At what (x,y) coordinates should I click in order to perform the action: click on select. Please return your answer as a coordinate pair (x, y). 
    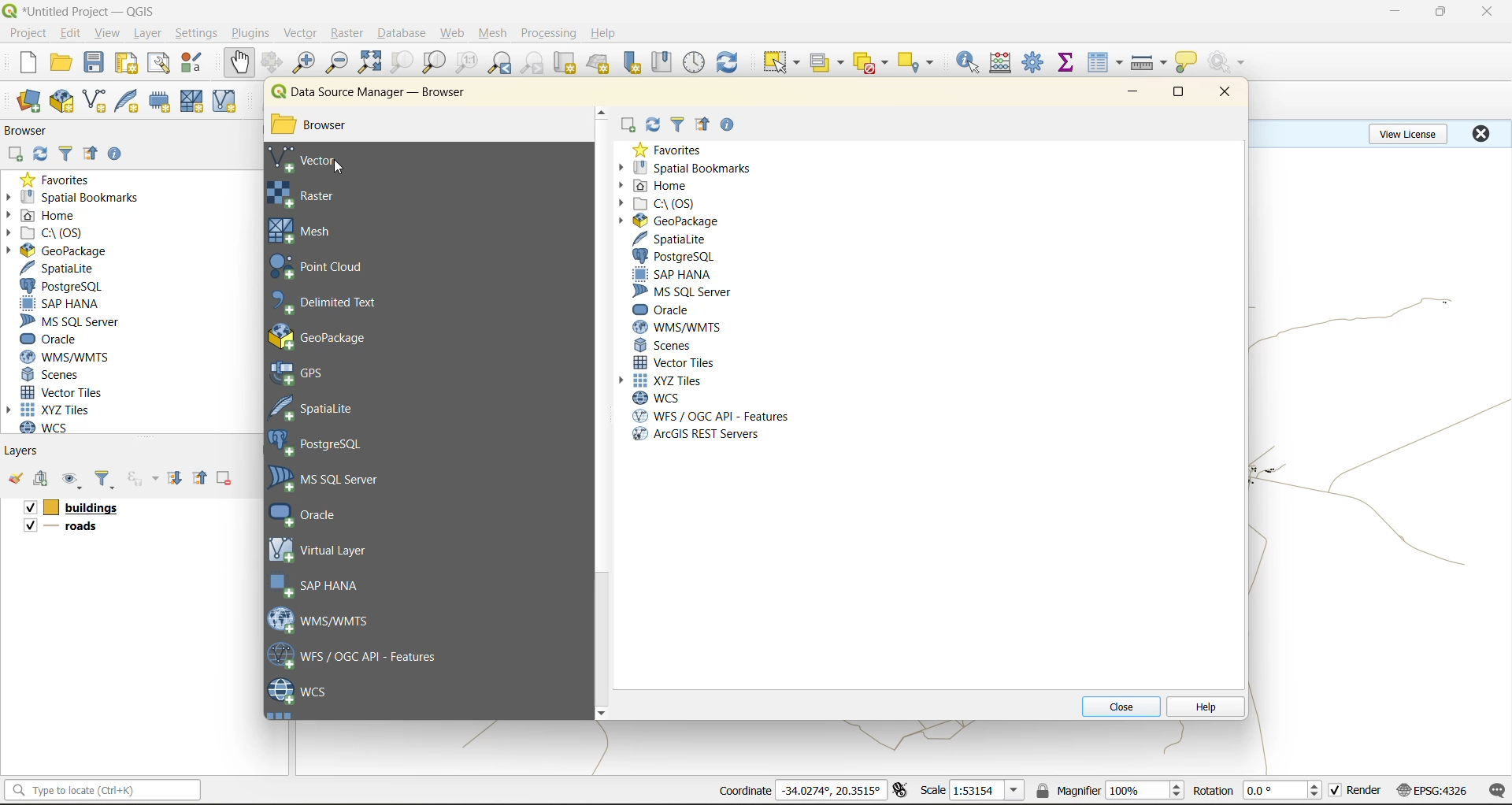
    Looking at the image, I should click on (779, 63).